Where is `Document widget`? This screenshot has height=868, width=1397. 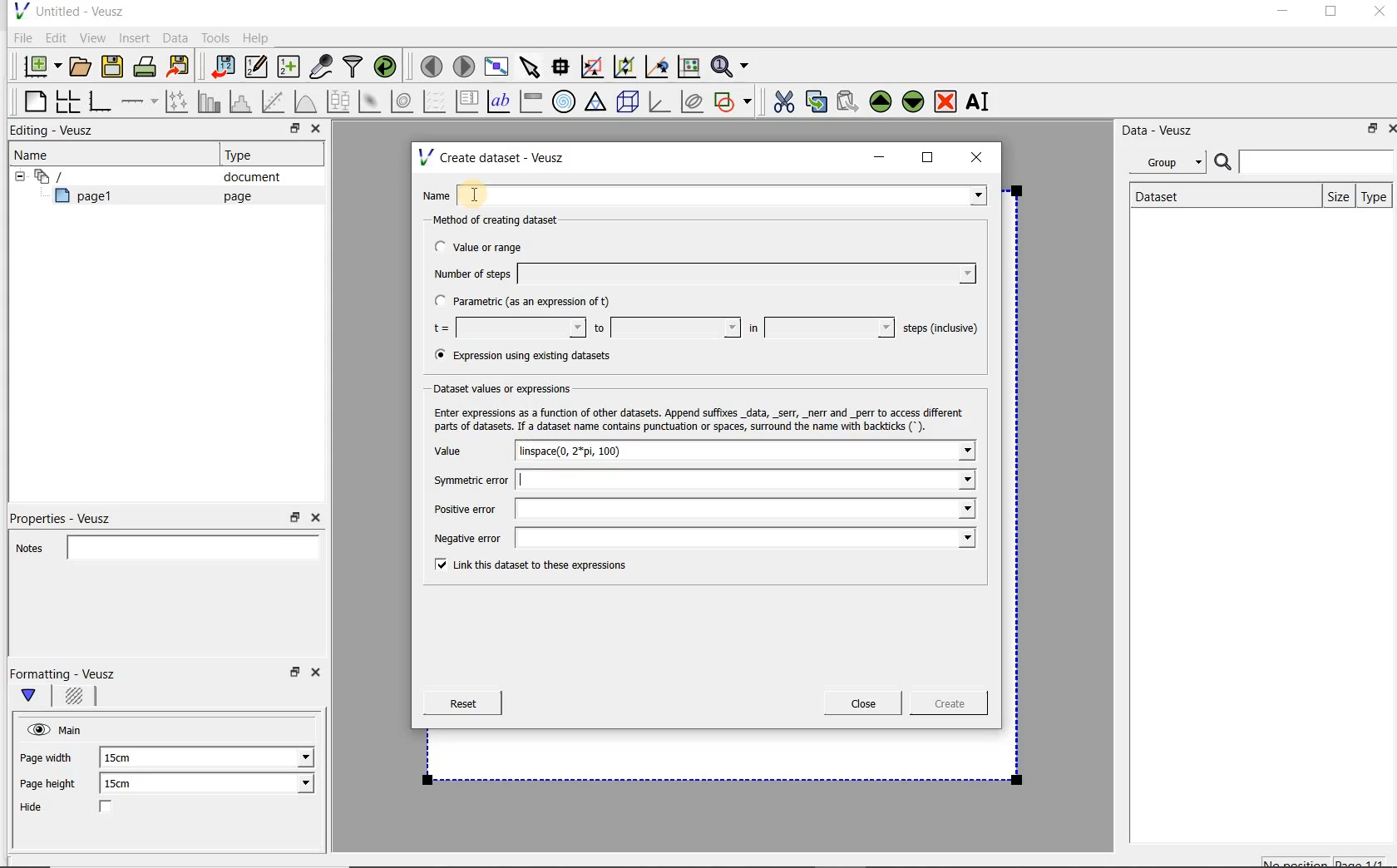
Document widget is located at coordinates (78, 176).